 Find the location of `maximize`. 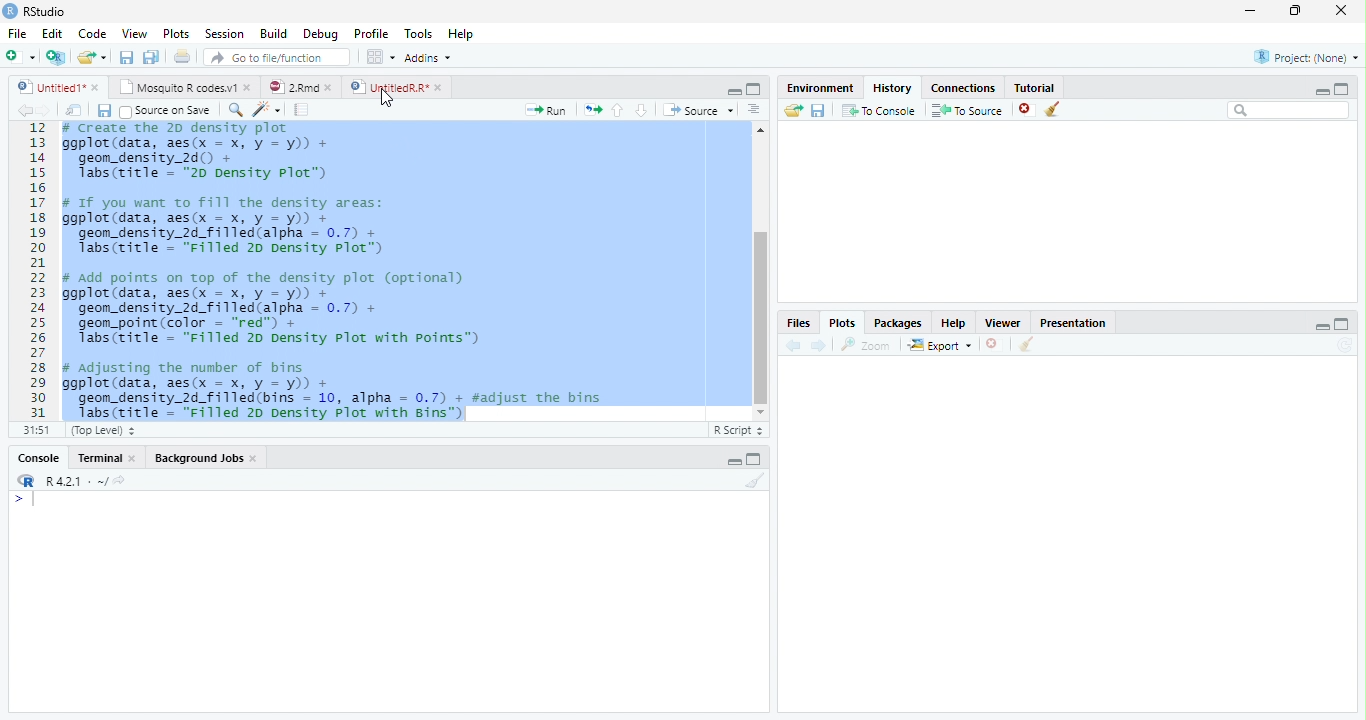

maximize is located at coordinates (756, 459).